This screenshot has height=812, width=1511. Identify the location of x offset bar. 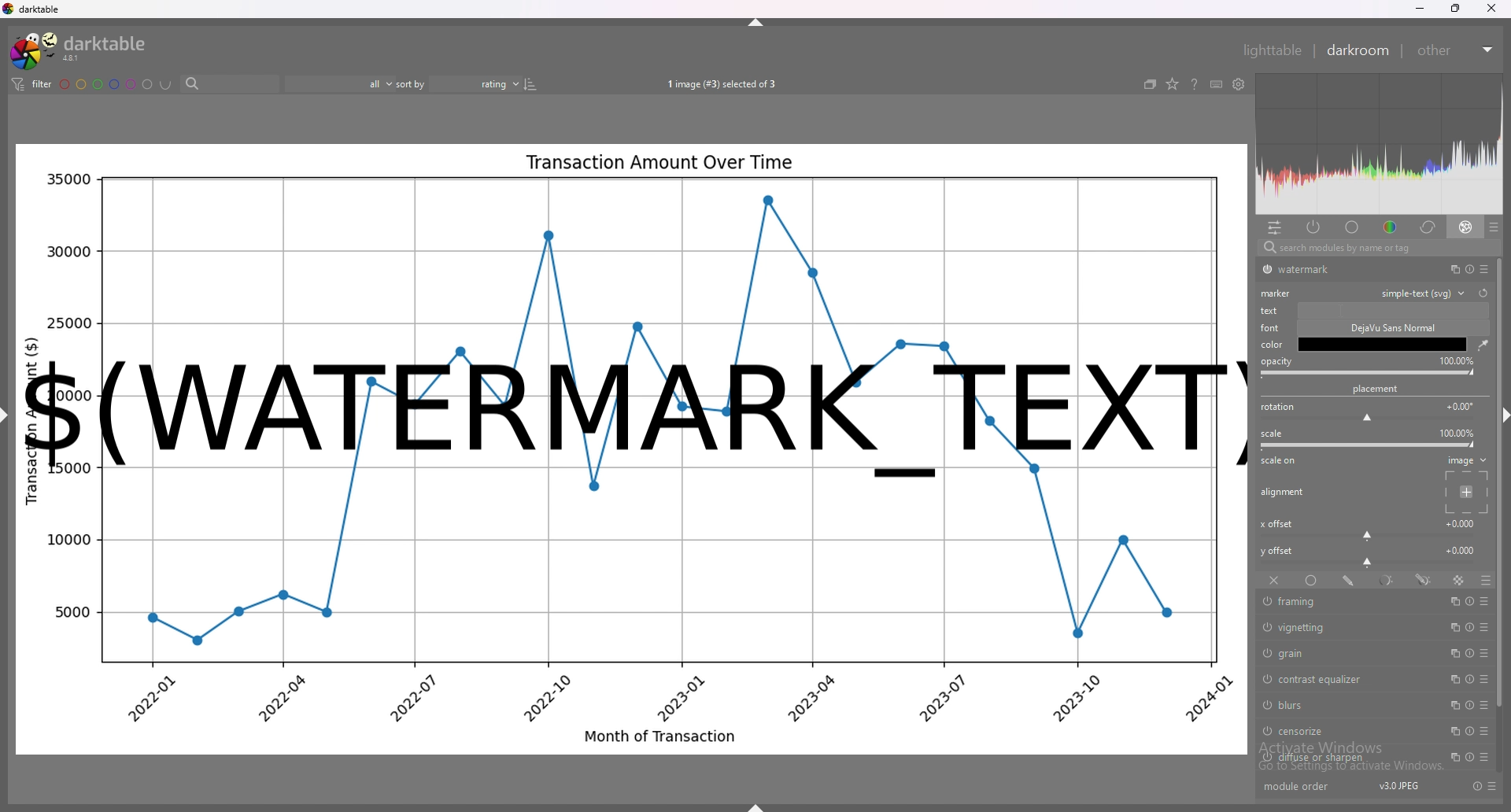
(1369, 536).